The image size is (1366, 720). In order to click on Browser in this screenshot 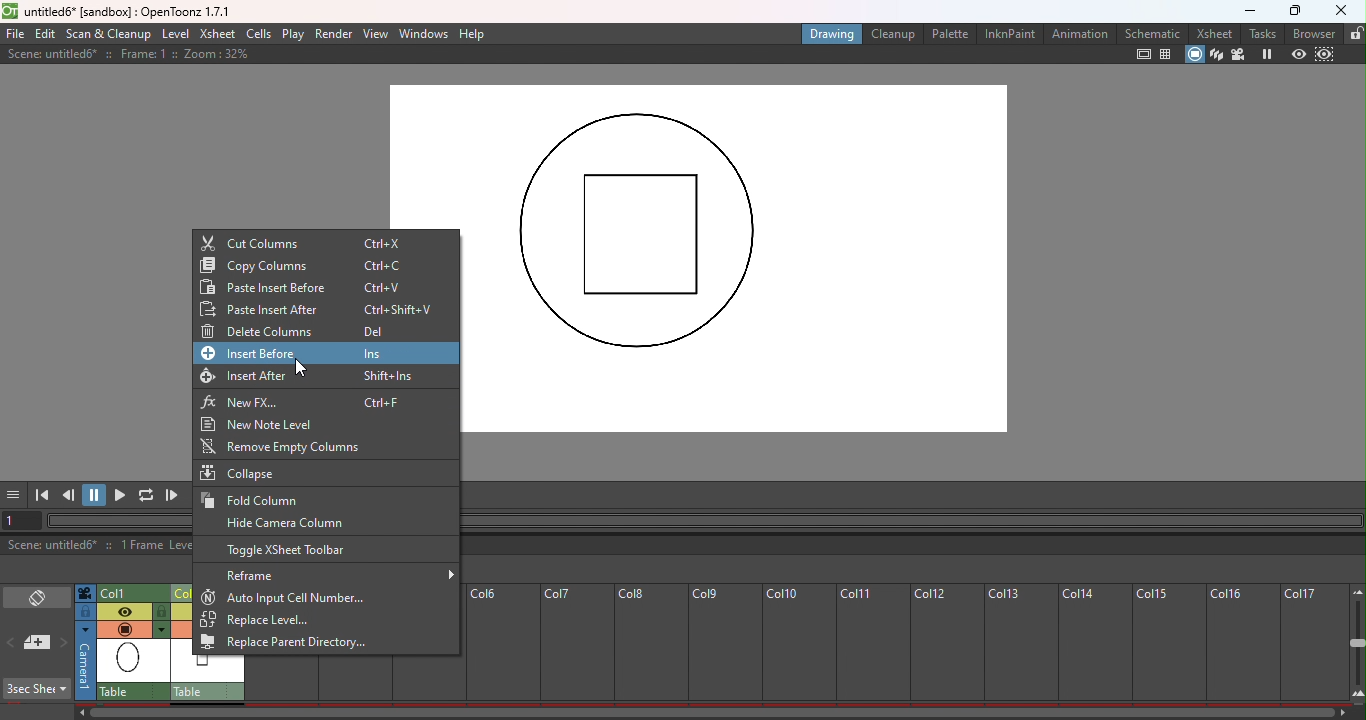, I will do `click(1311, 34)`.